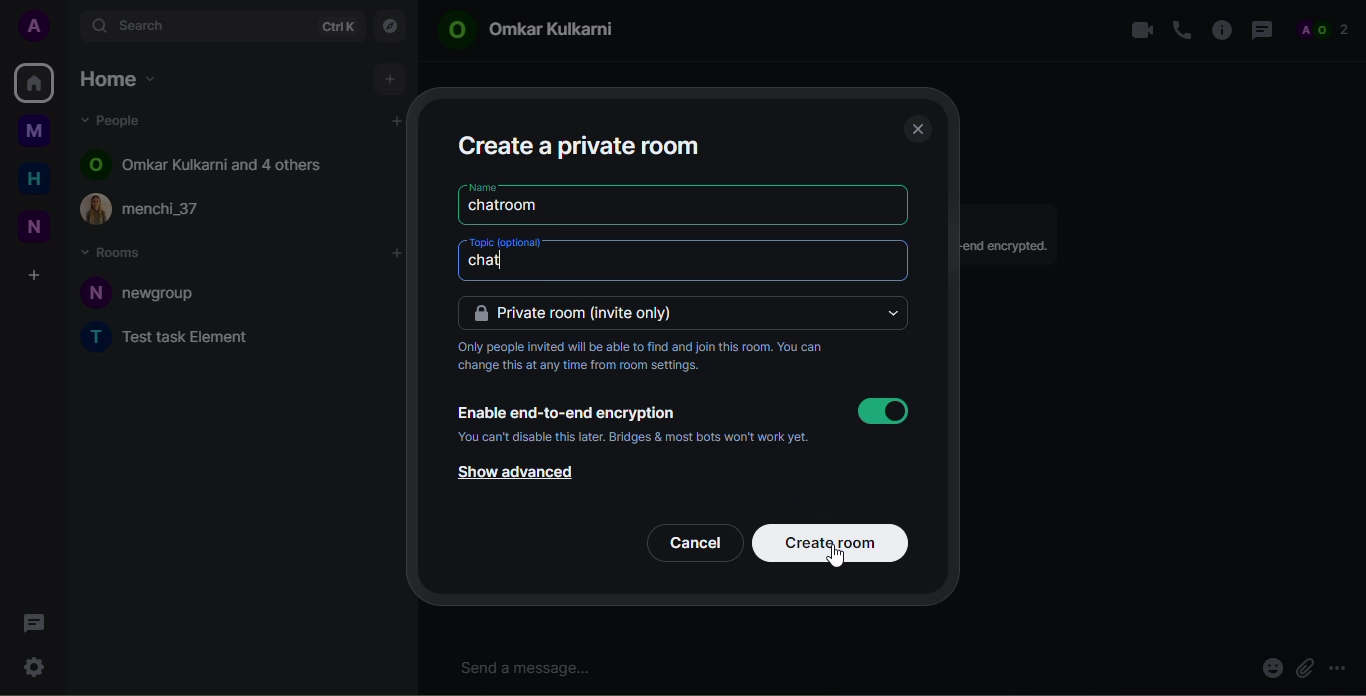  I want to click on home, so click(34, 180).